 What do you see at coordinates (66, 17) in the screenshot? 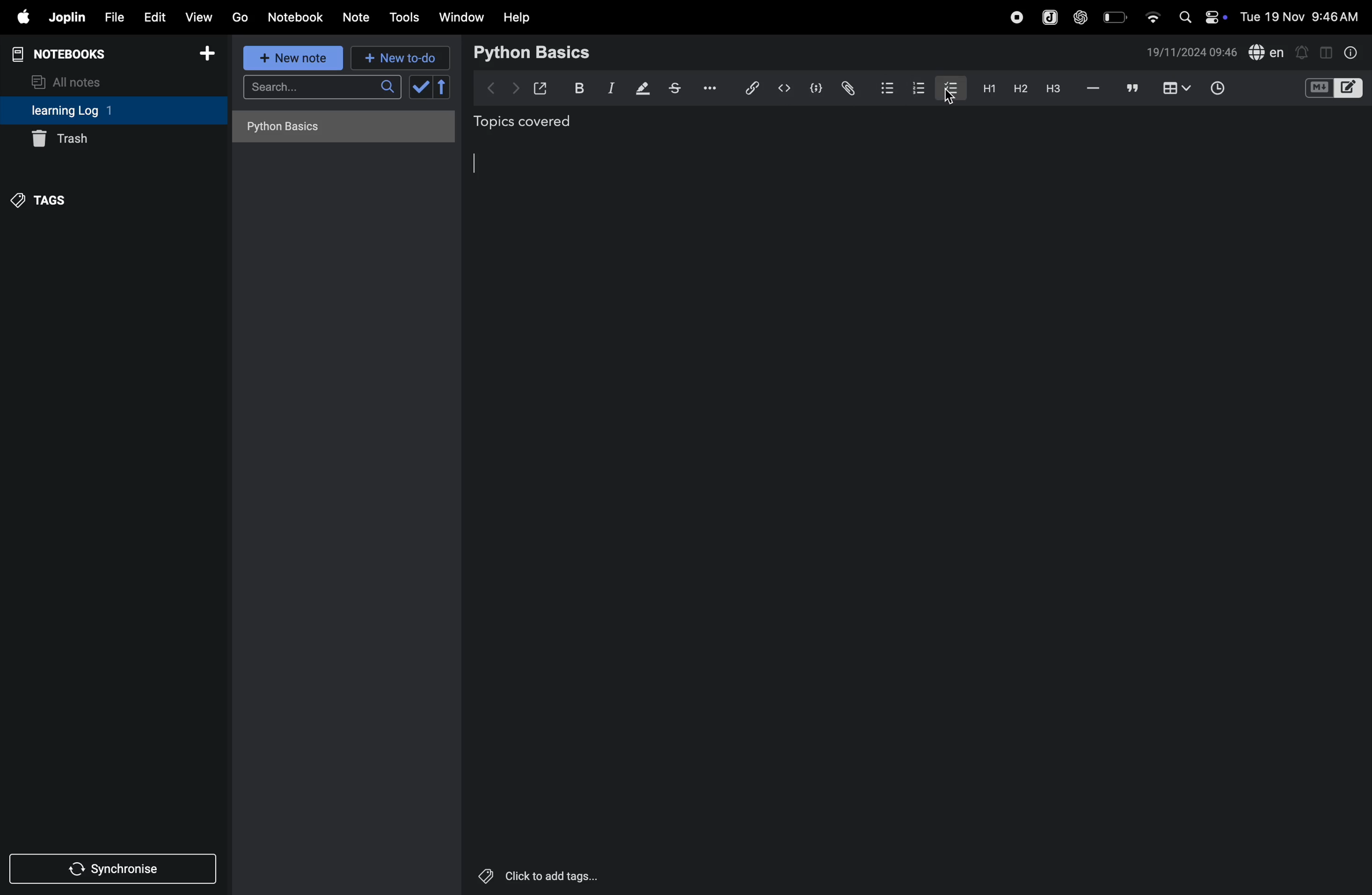
I see `joplin` at bounding box center [66, 17].